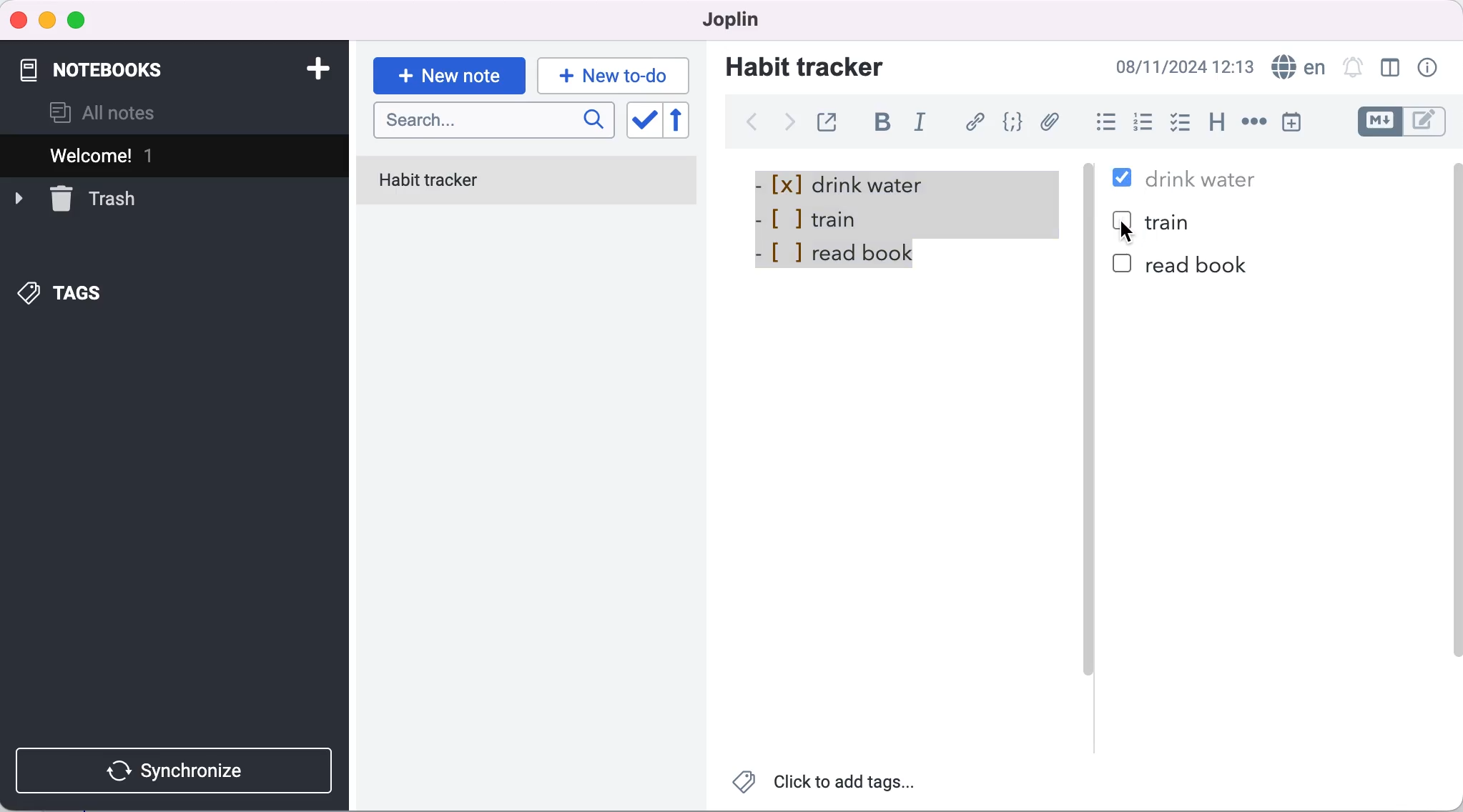 The height and width of the screenshot is (812, 1463). I want to click on tags, so click(62, 294).